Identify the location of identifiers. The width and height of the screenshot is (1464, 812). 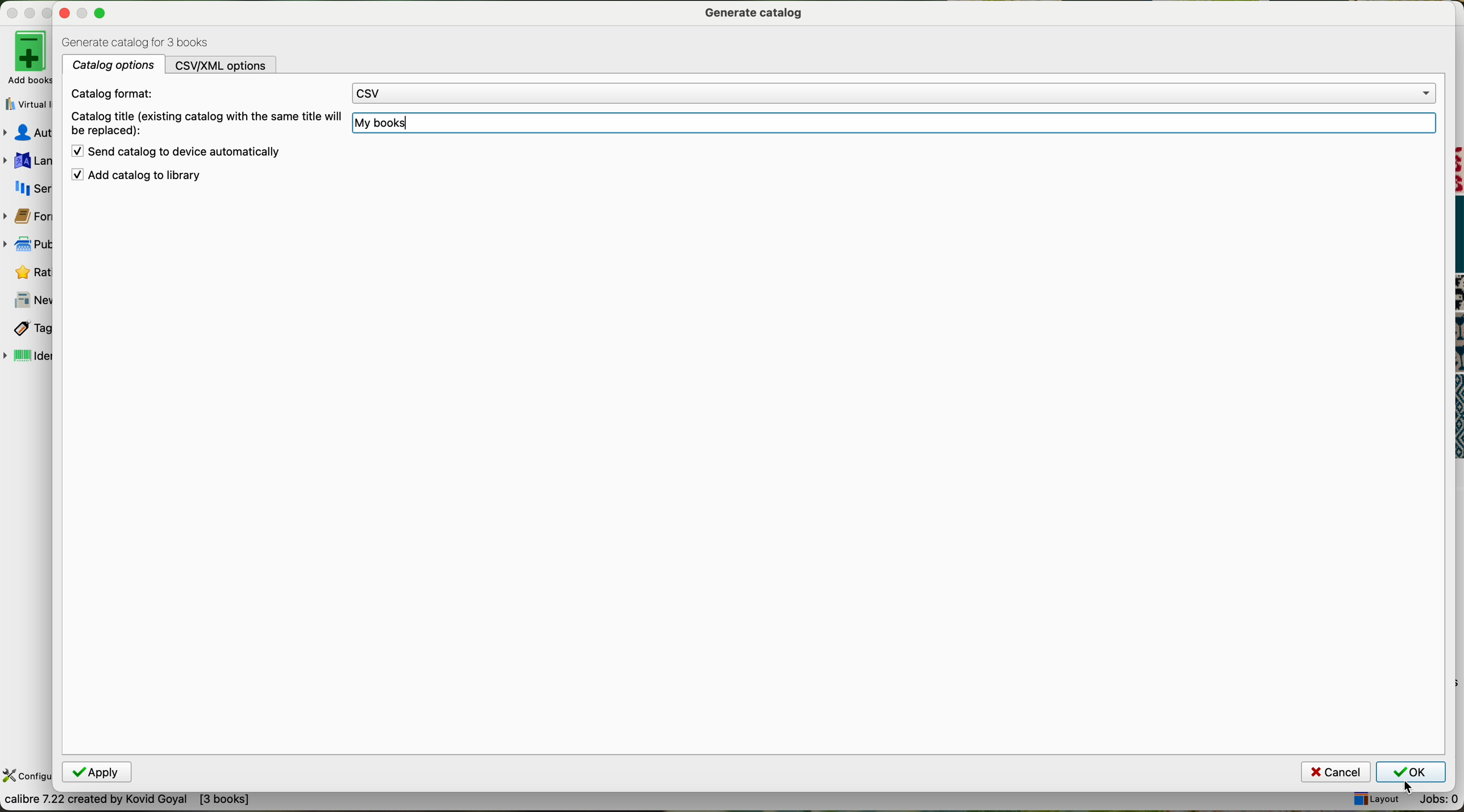
(31, 356).